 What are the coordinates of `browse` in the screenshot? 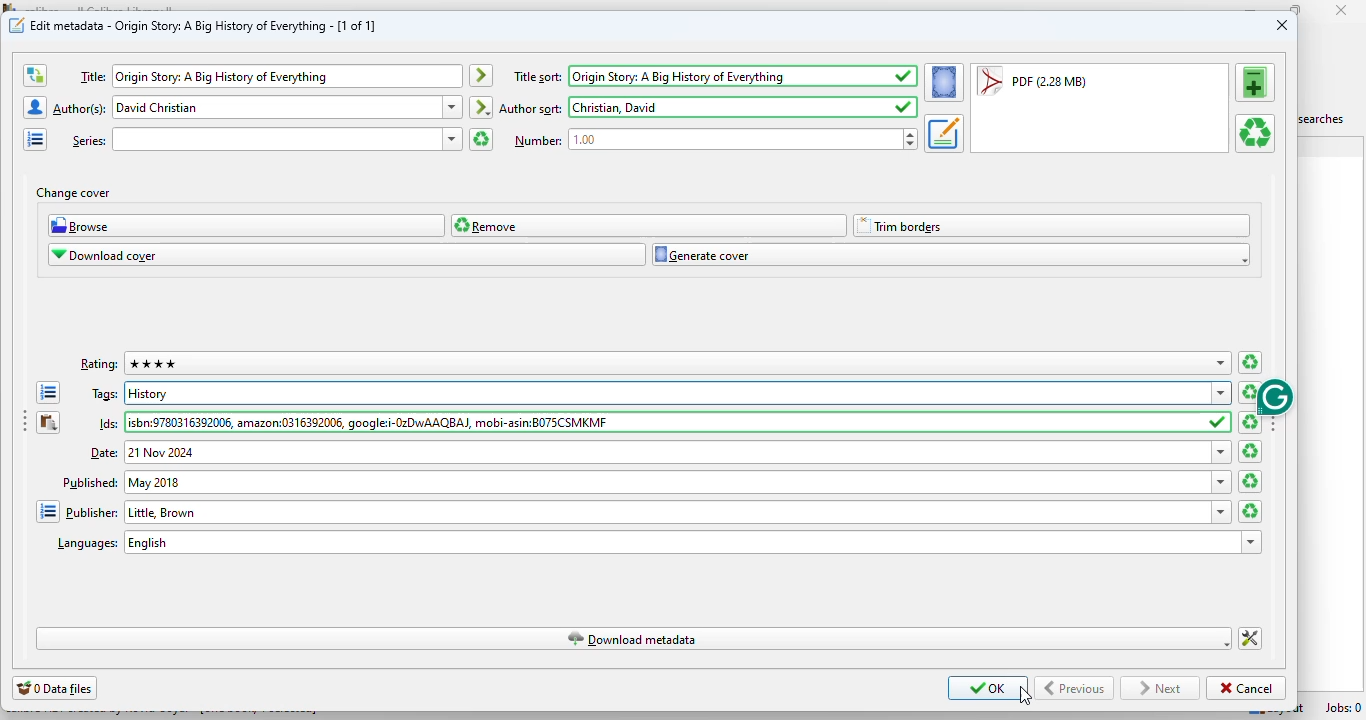 It's located at (247, 225).